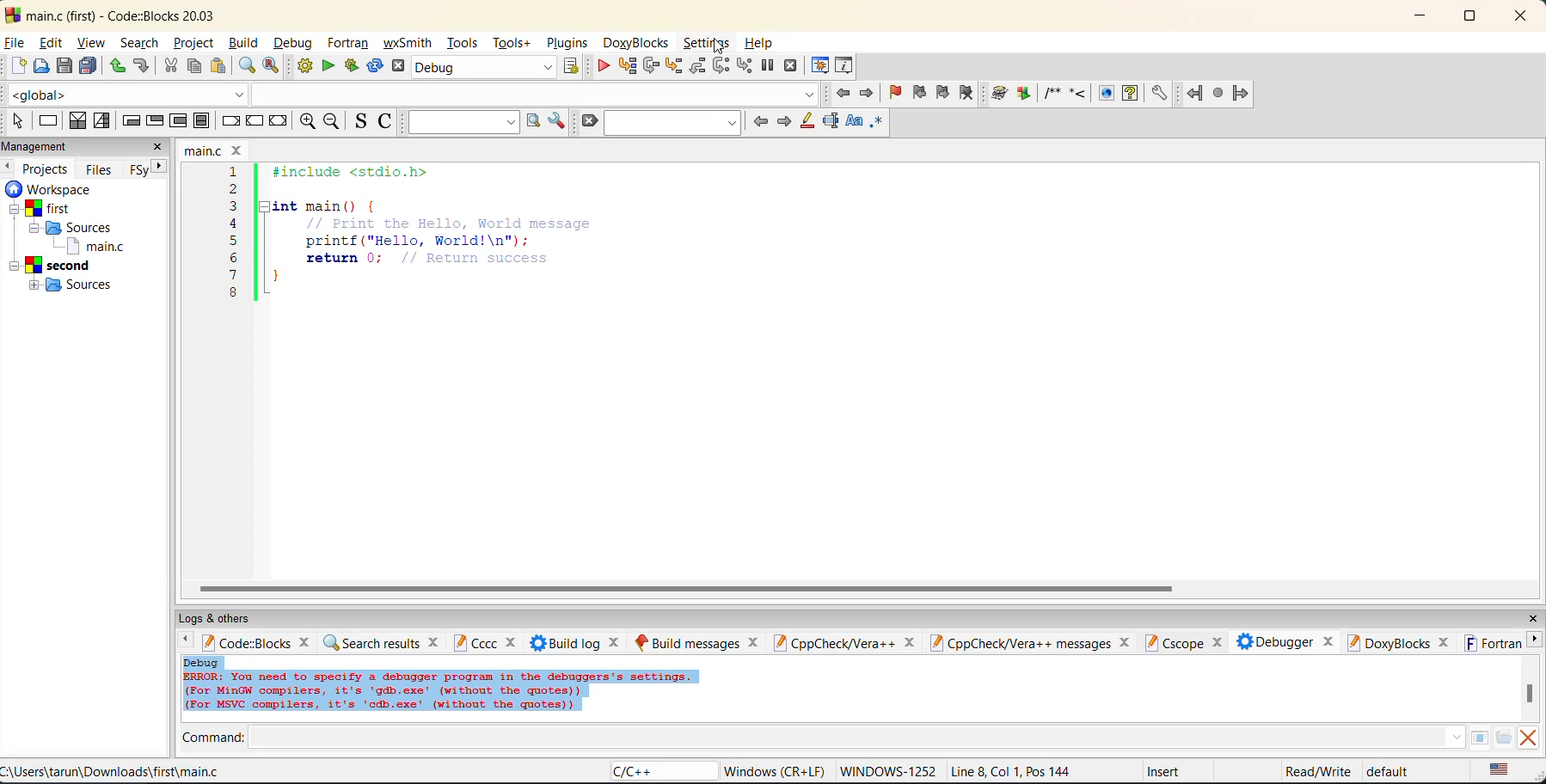  What do you see at coordinates (1525, 14) in the screenshot?
I see `close` at bounding box center [1525, 14].